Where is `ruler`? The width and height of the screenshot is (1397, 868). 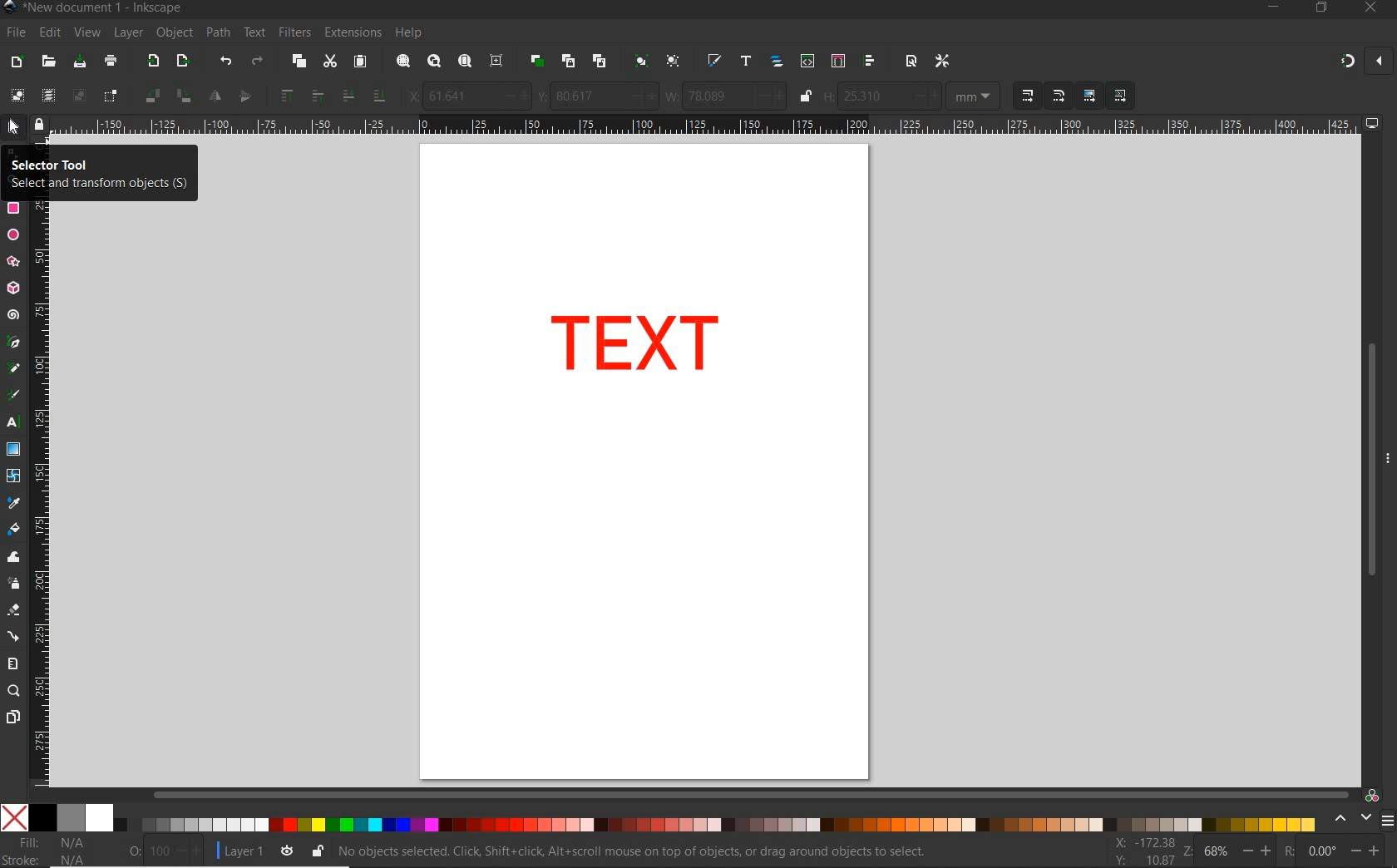 ruler is located at coordinates (707, 126).